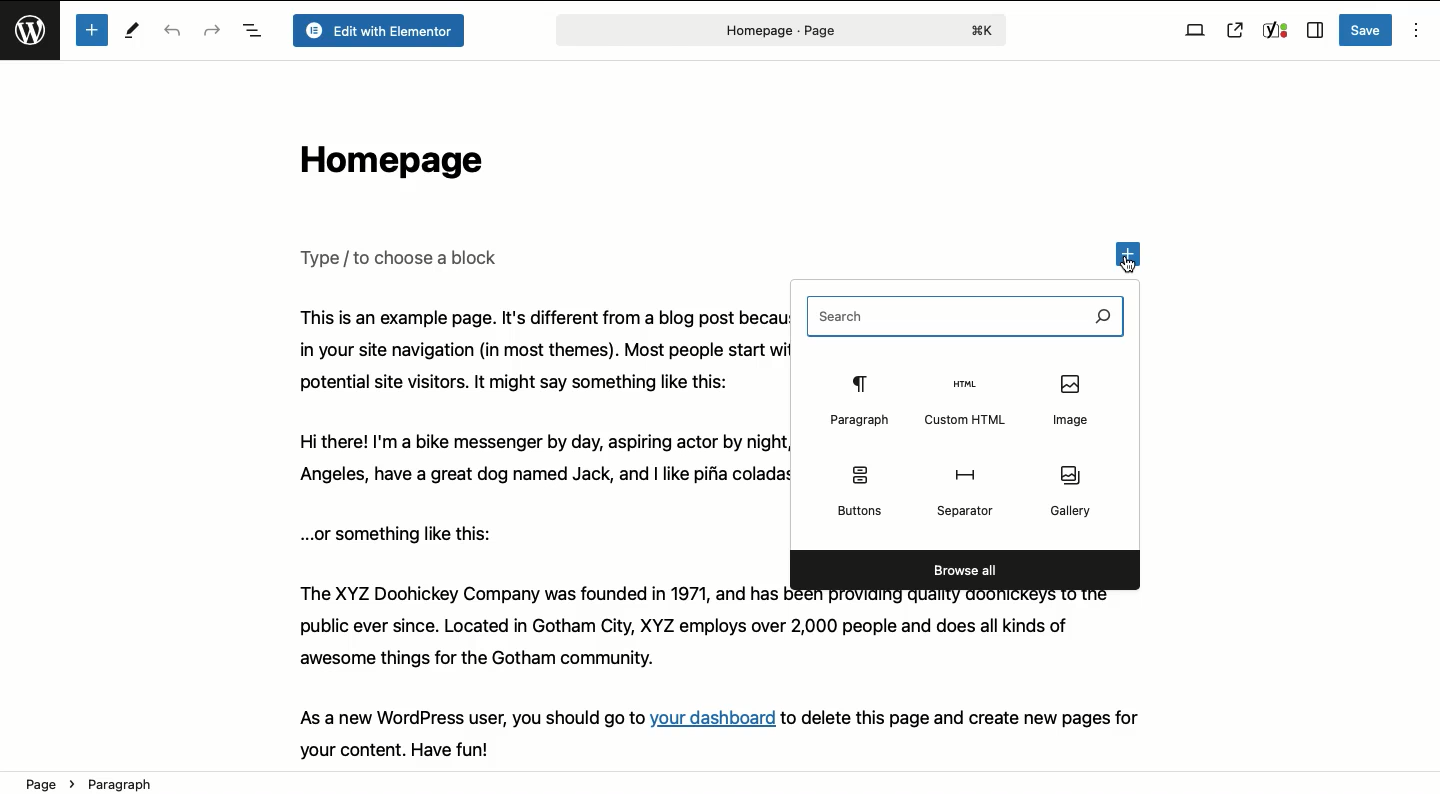  Describe the element at coordinates (721, 633) in the screenshot. I see `The XYZ Doohickey Company was founded in 1971, and has been providing quality doohickeys to the
public ever since. Located in Gotham City, XYZ employs over 2,000 people and does all kinds of
awesome things for the Gotham community.` at that location.